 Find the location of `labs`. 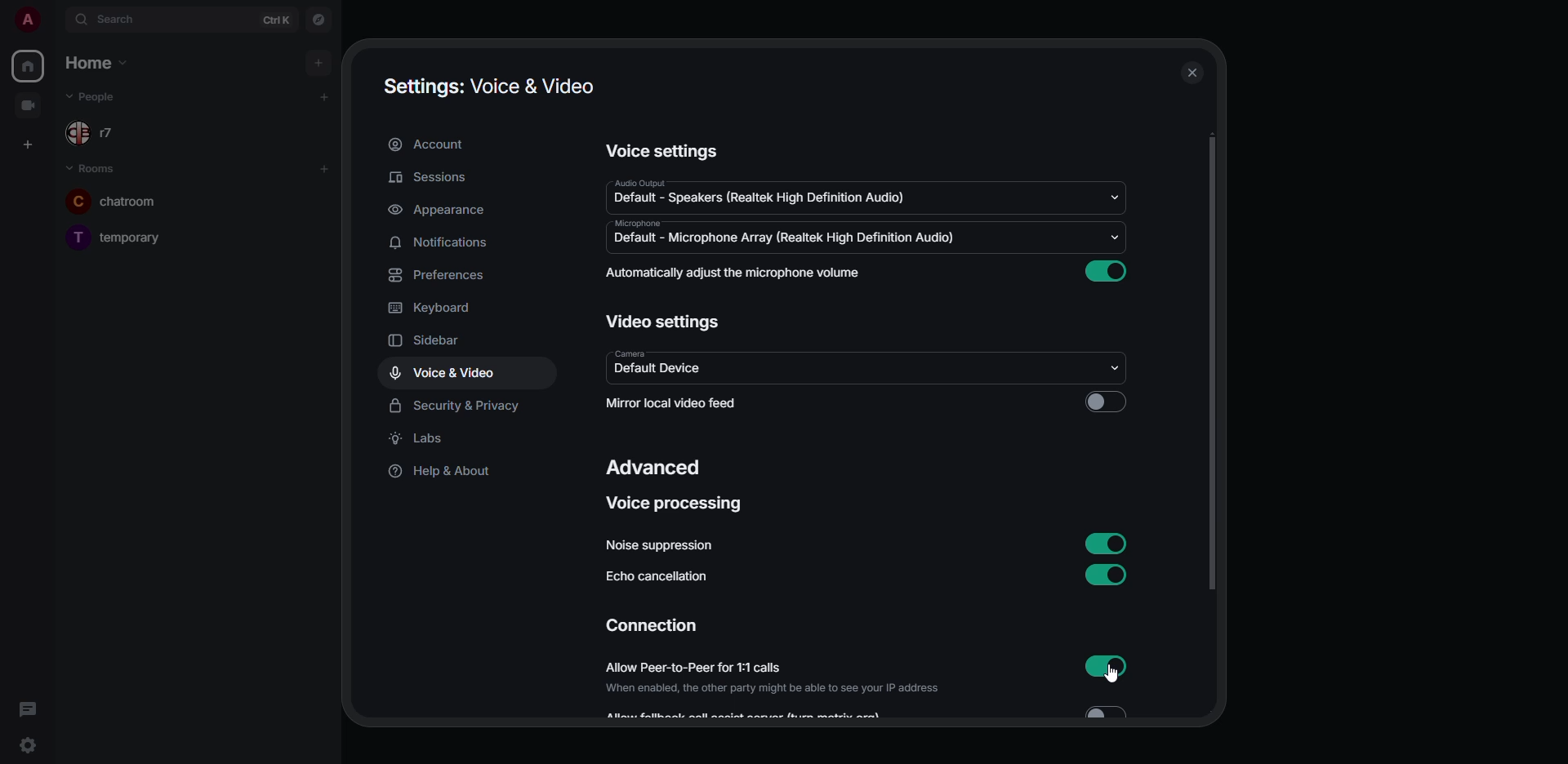

labs is located at coordinates (422, 441).